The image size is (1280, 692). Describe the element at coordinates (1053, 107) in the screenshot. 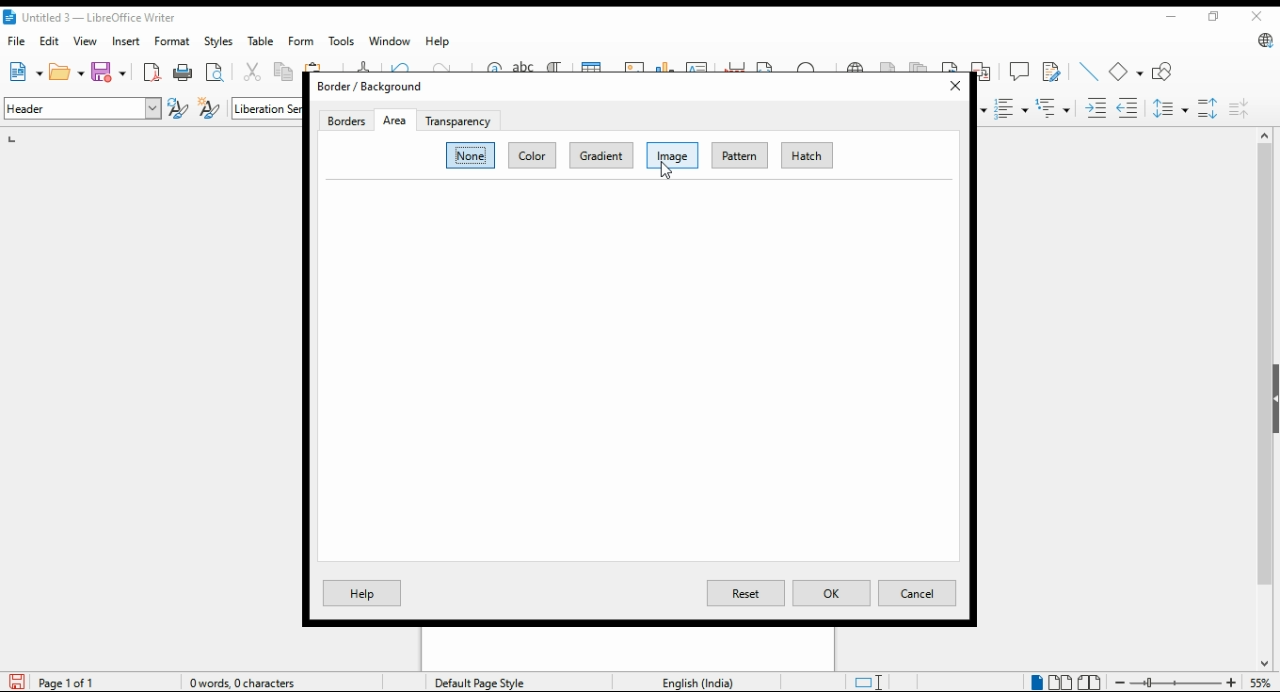

I see `select outline format` at that location.